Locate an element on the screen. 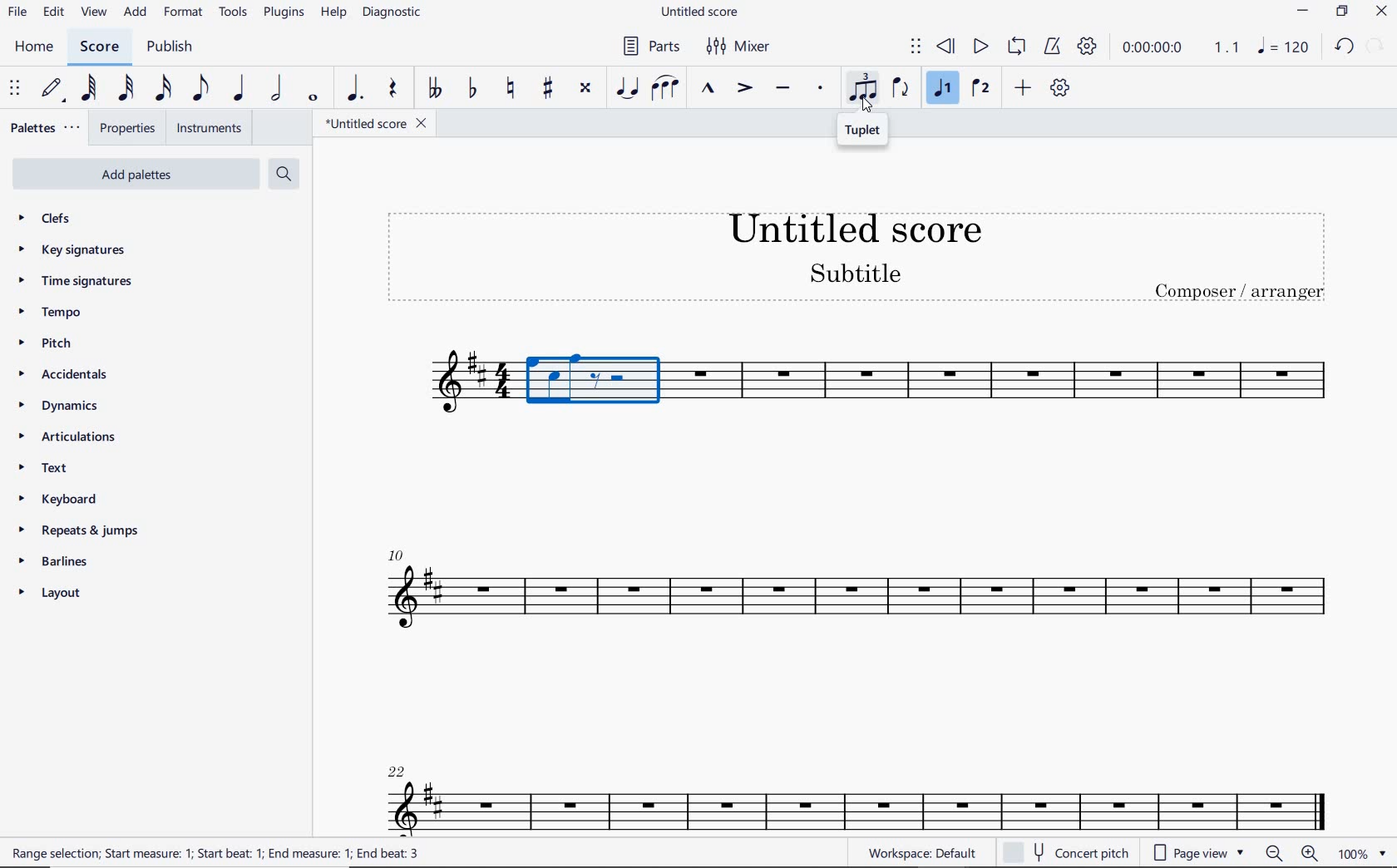 The width and height of the screenshot is (1397, 868). ACCIDENTALS is located at coordinates (74, 375).